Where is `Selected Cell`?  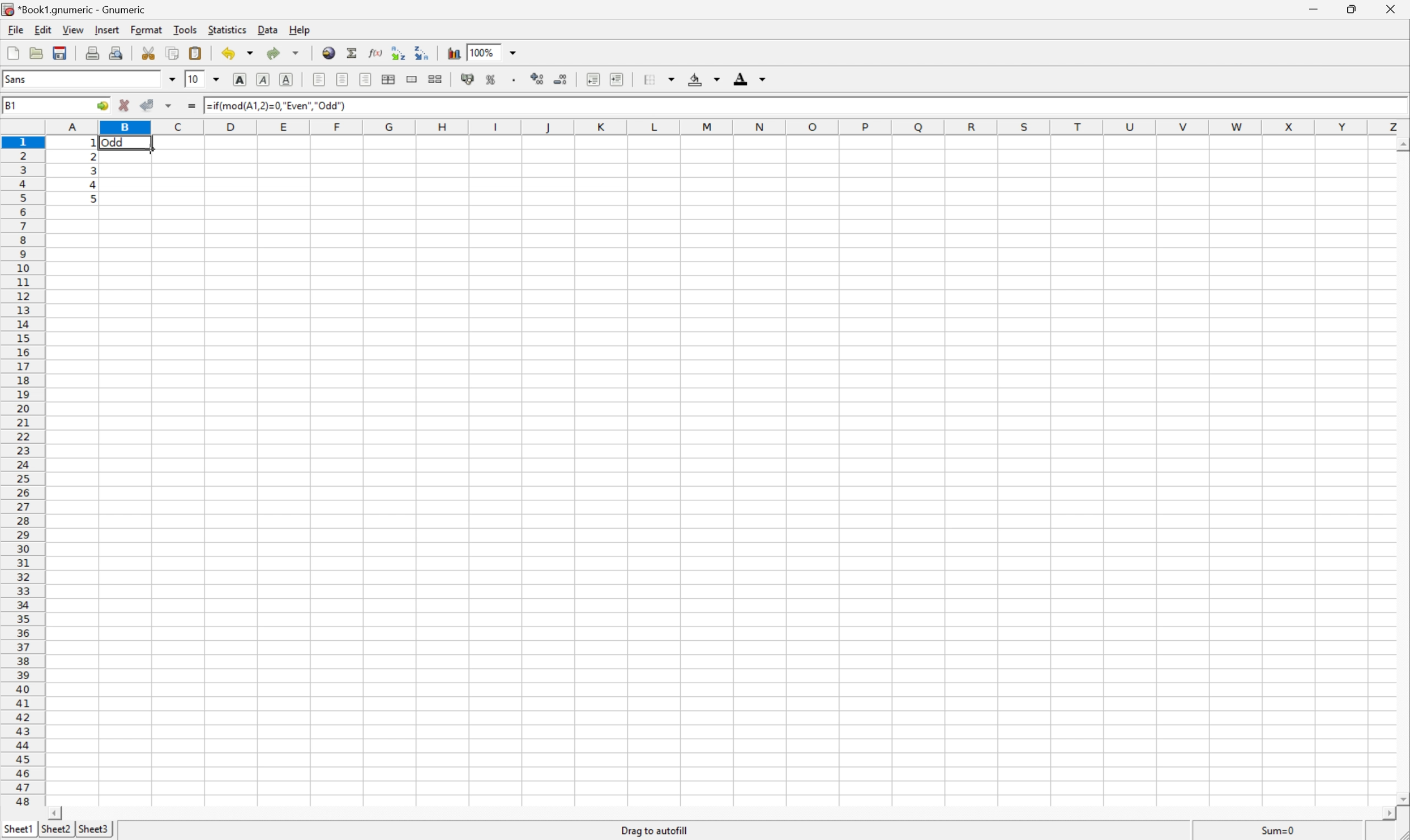 Selected Cell is located at coordinates (127, 156).